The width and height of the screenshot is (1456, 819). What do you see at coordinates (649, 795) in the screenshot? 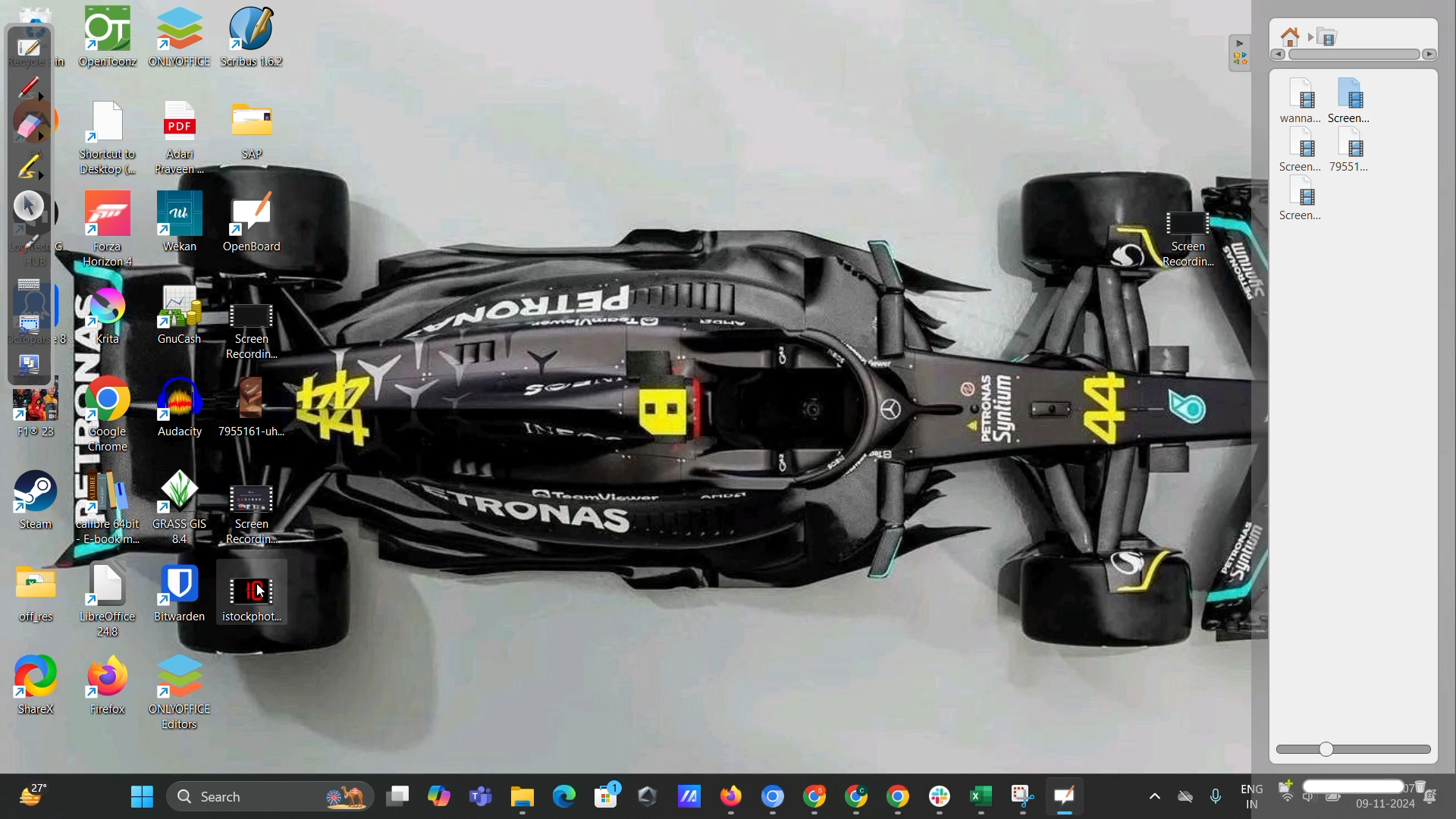
I see `shortcut on desktop taskbar` at bounding box center [649, 795].